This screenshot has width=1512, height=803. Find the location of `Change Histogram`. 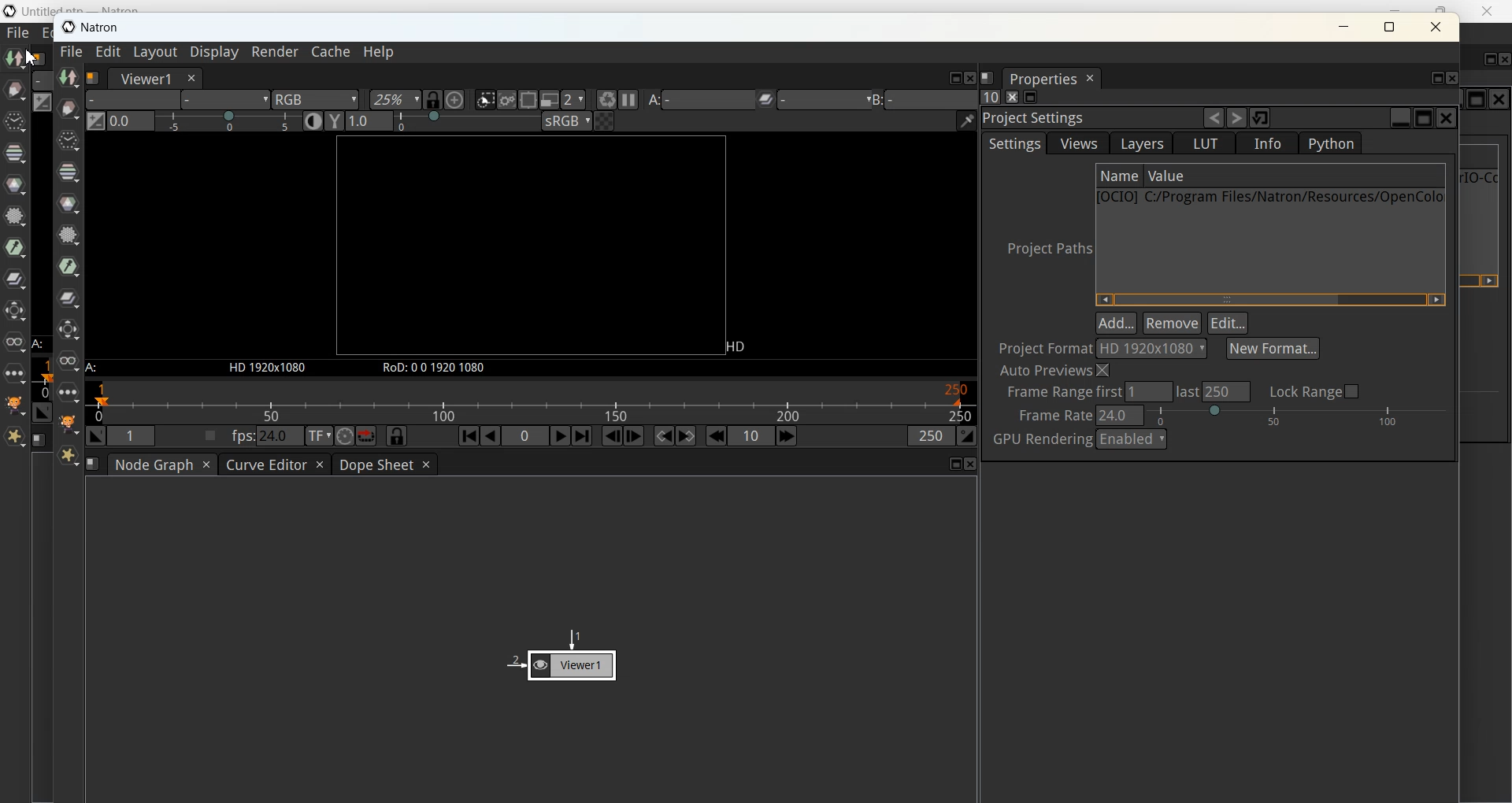

Change Histogram is located at coordinates (43, 102).